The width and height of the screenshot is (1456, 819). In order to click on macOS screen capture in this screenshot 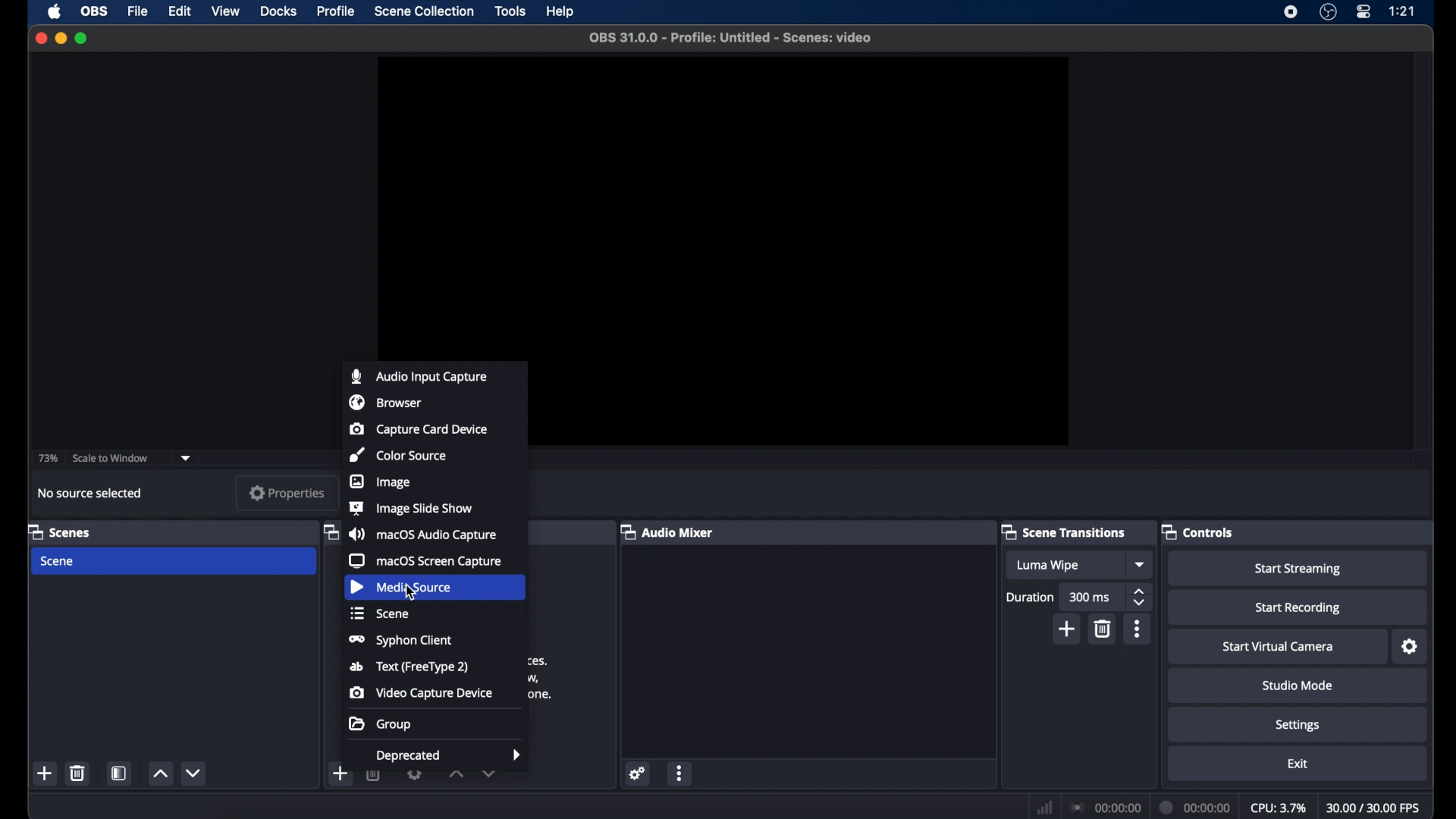, I will do `click(424, 560)`.